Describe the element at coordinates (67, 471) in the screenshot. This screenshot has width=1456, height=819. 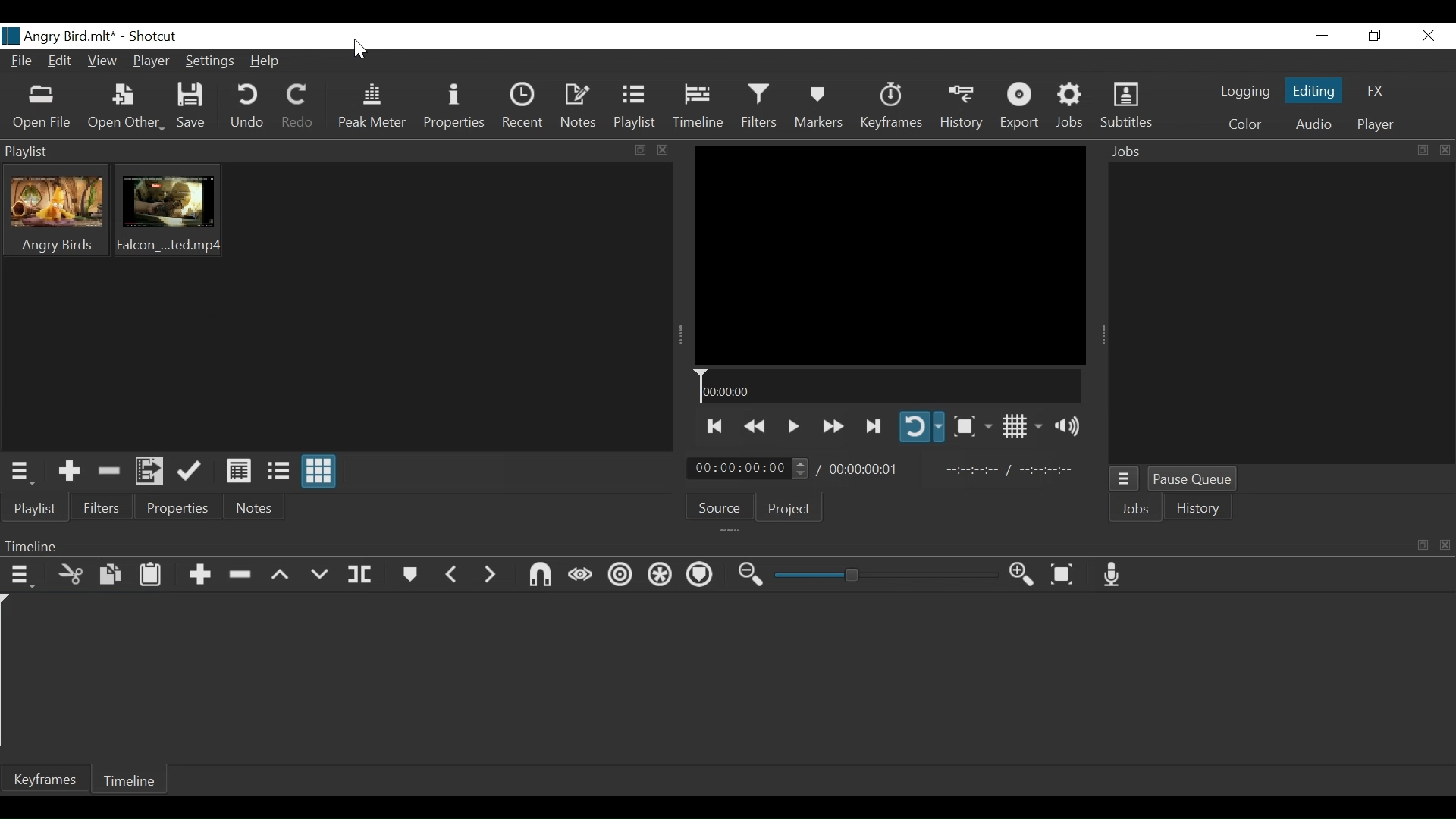
I see `Add the Source to the playlist` at that location.